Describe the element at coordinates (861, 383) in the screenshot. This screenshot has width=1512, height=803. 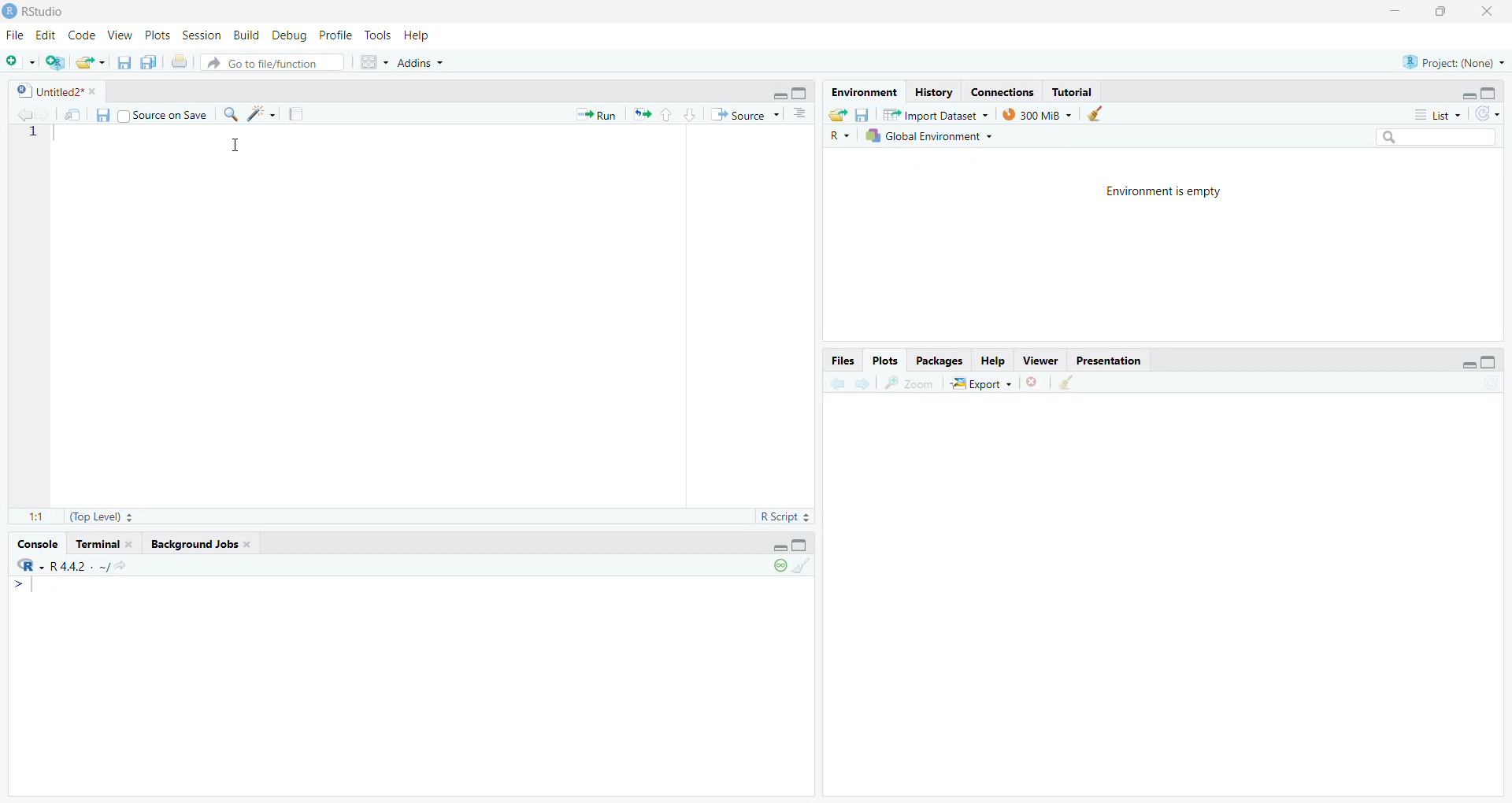
I see `go forward` at that location.